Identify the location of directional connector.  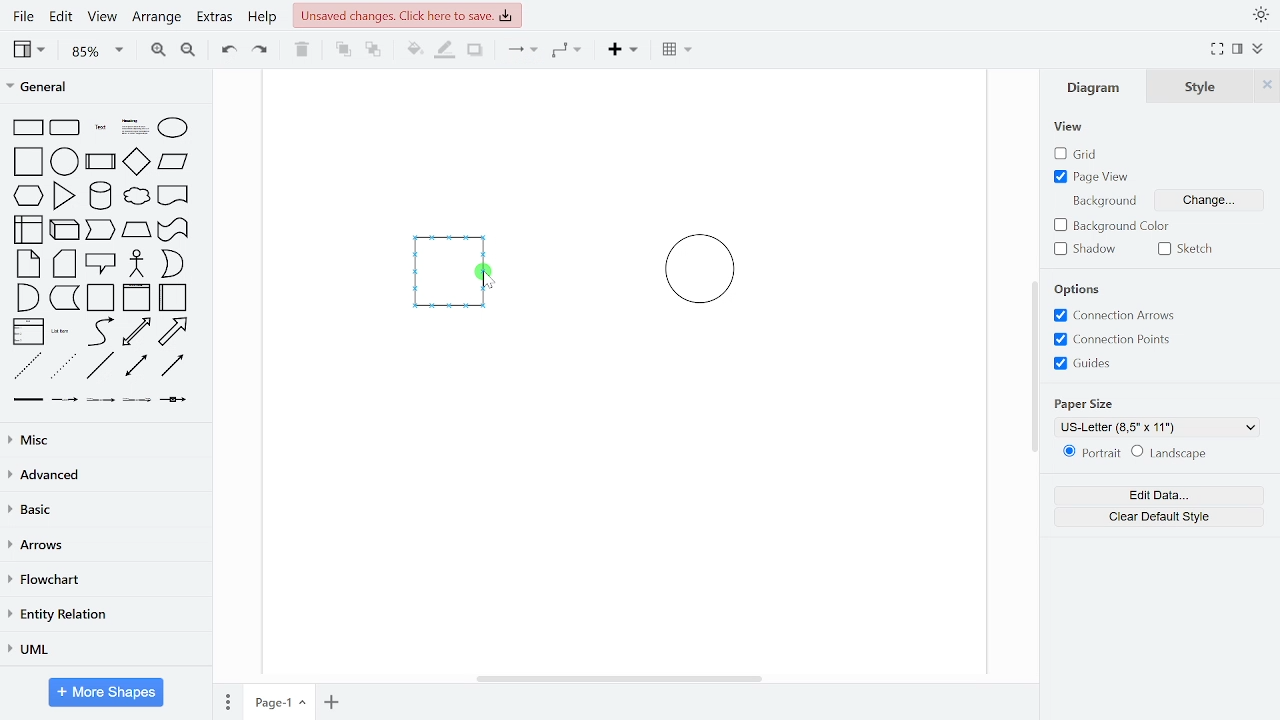
(172, 365).